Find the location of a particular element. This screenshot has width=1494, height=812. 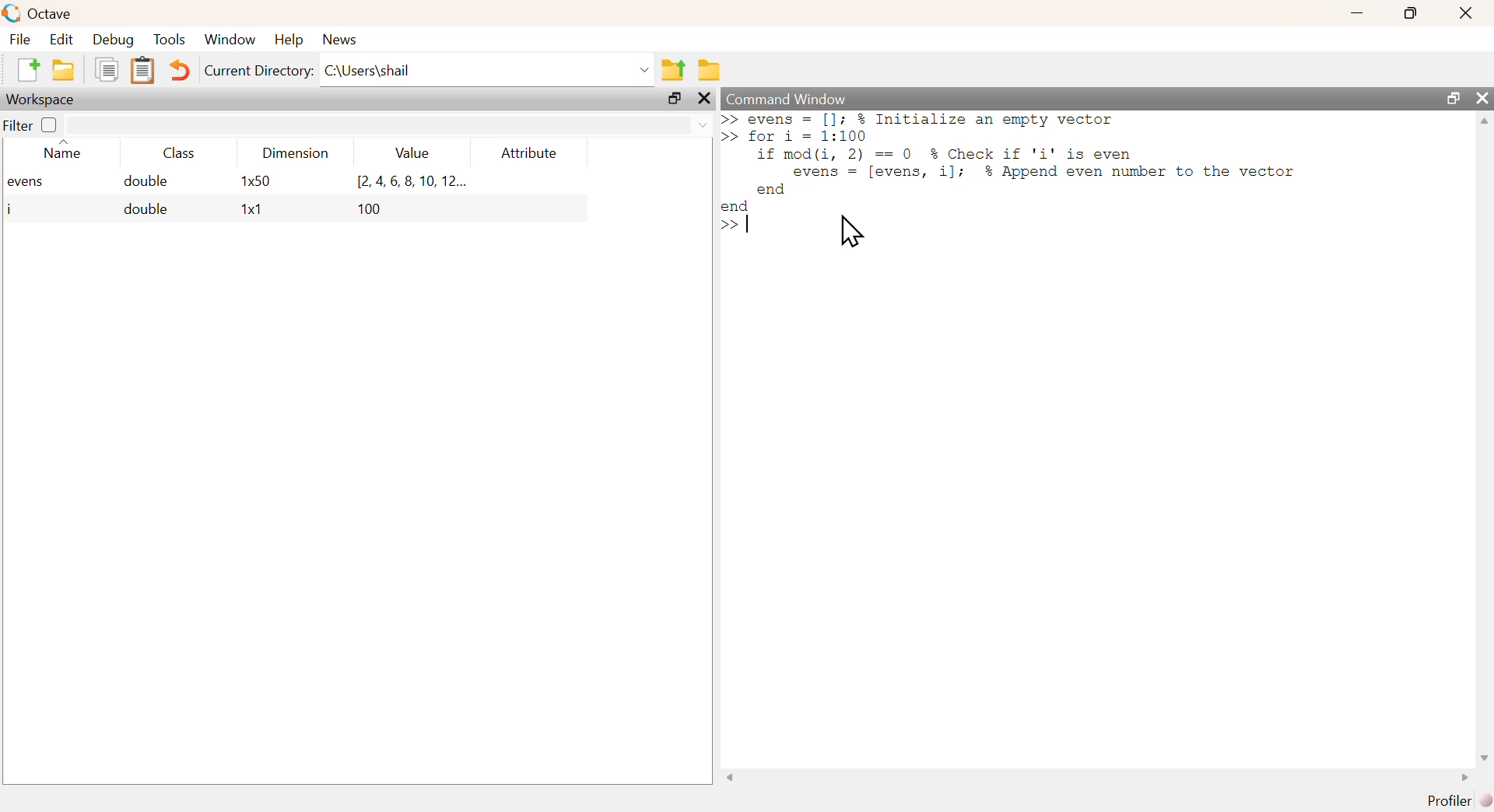

undo is located at coordinates (181, 73).